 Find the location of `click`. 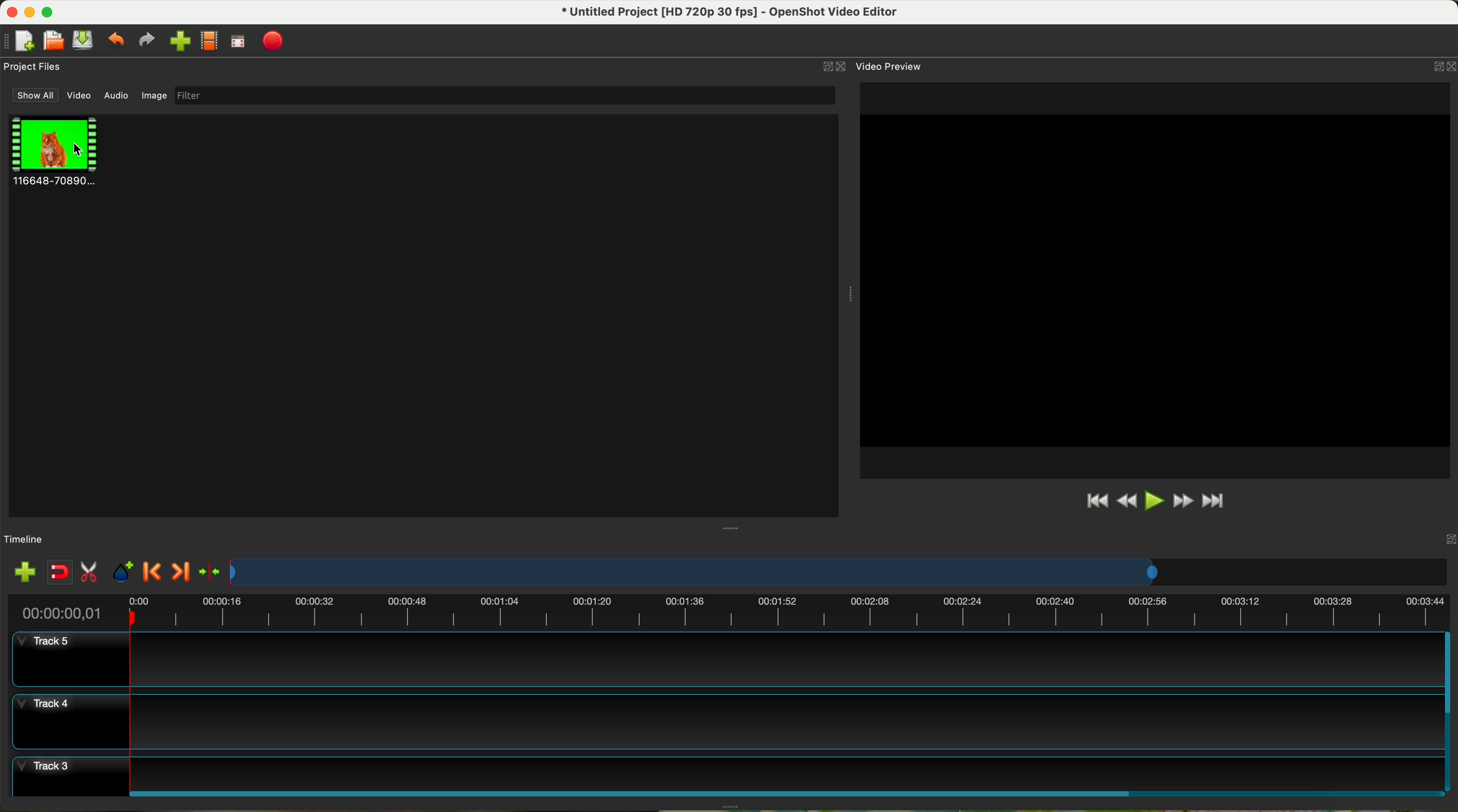

click is located at coordinates (81, 149).